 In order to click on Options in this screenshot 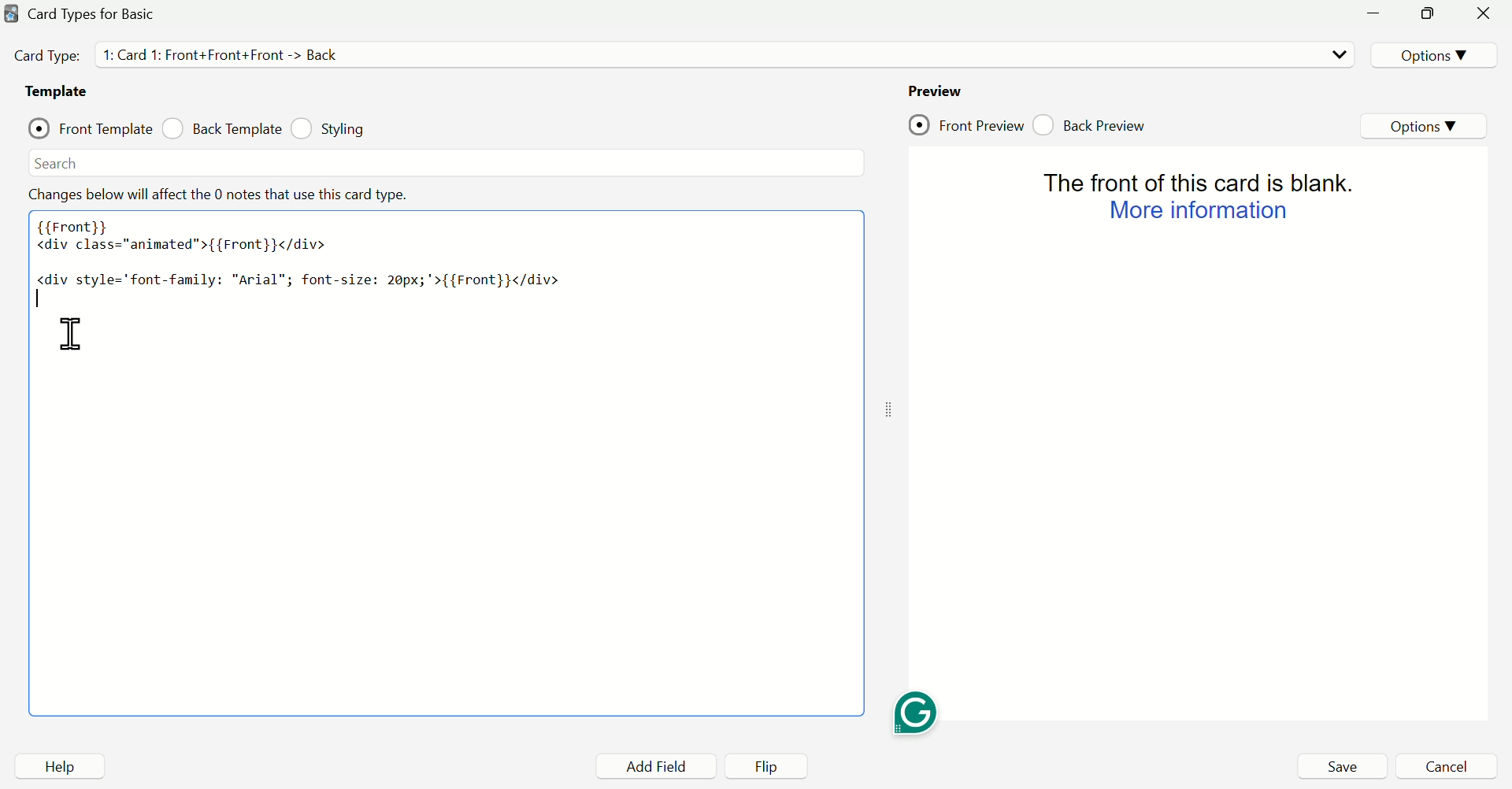, I will do `click(1432, 54)`.